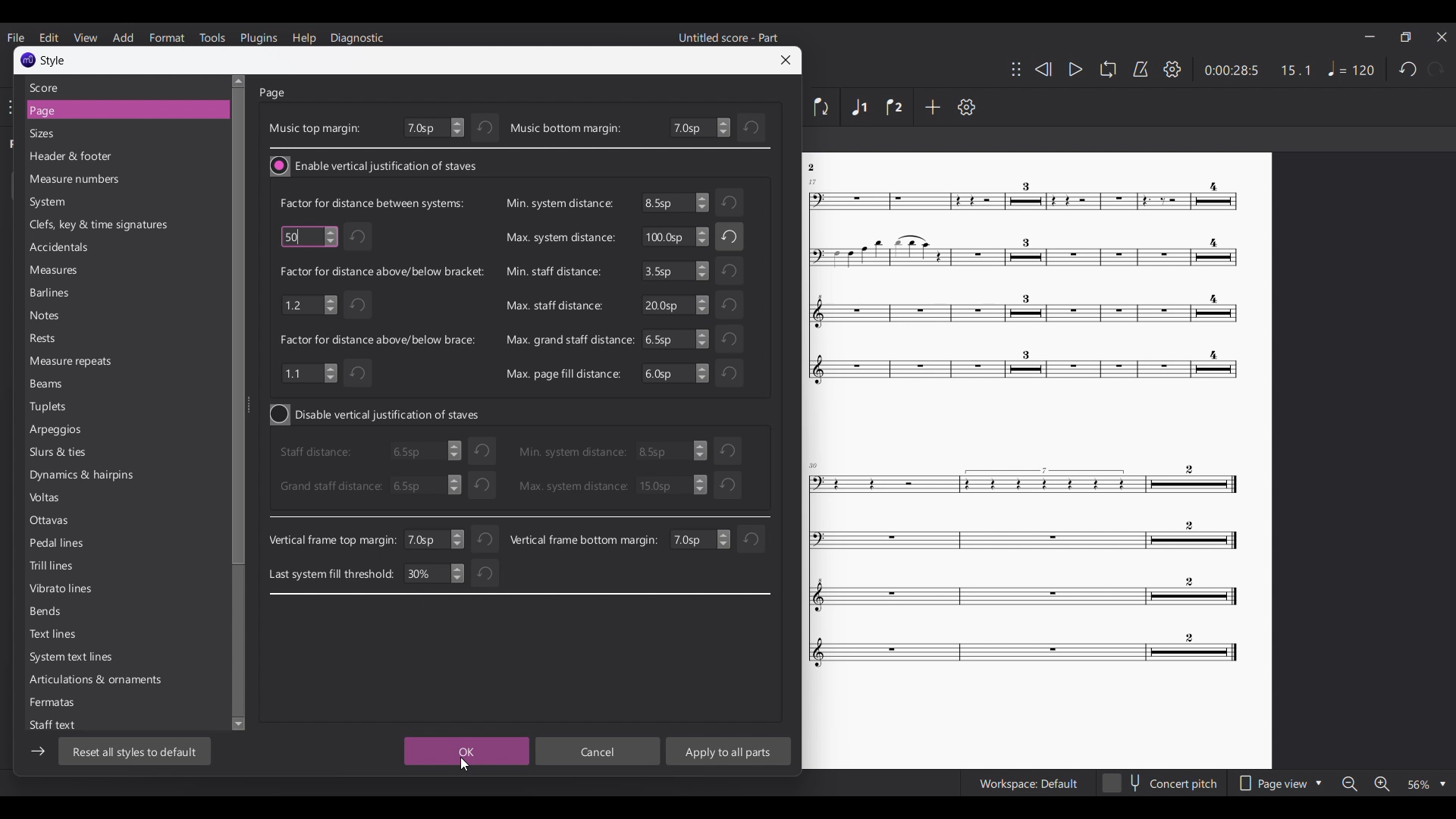 The width and height of the screenshot is (1456, 819). Describe the element at coordinates (1370, 36) in the screenshot. I see `Minimize` at that location.